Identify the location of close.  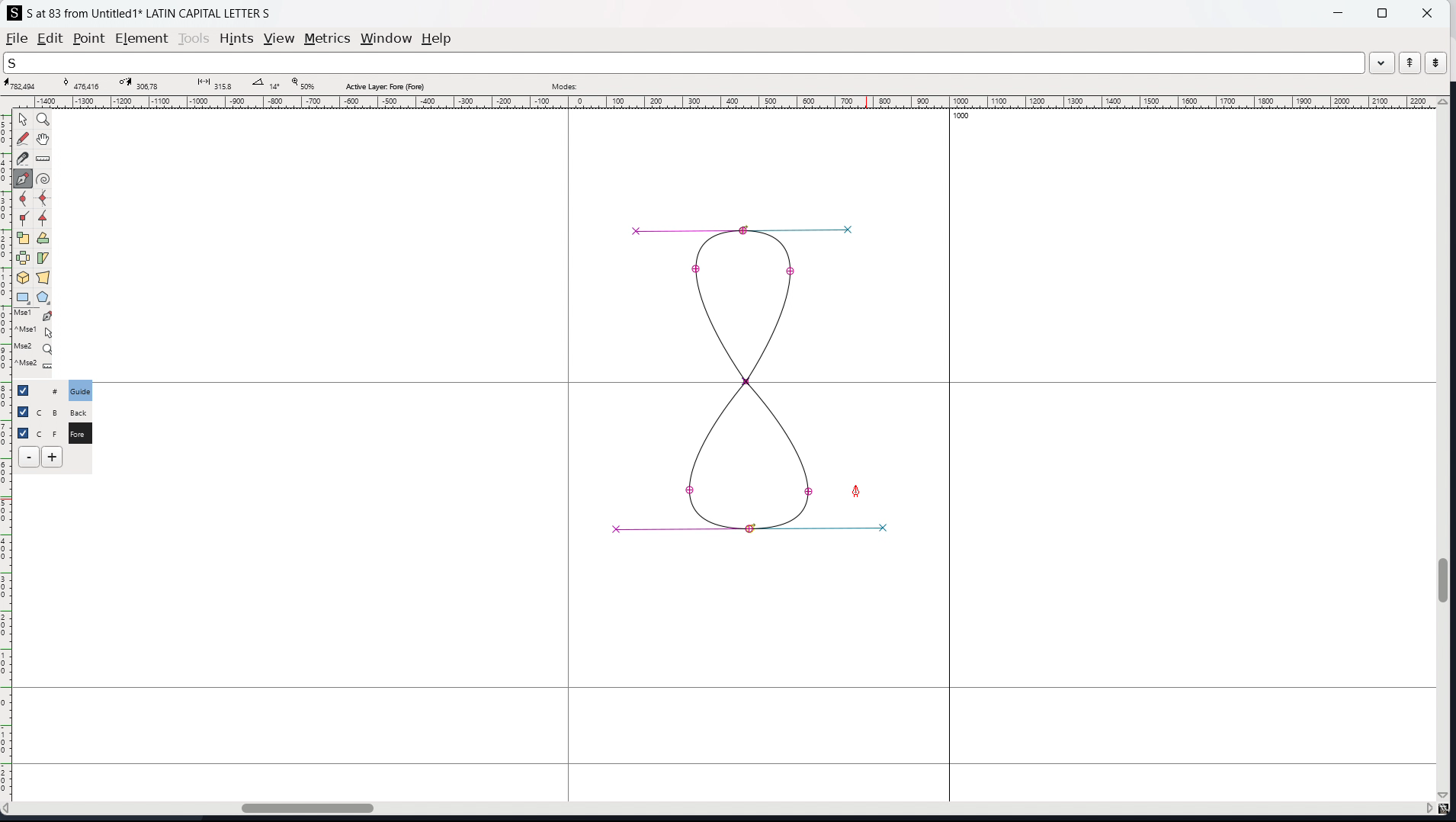
(1426, 12).